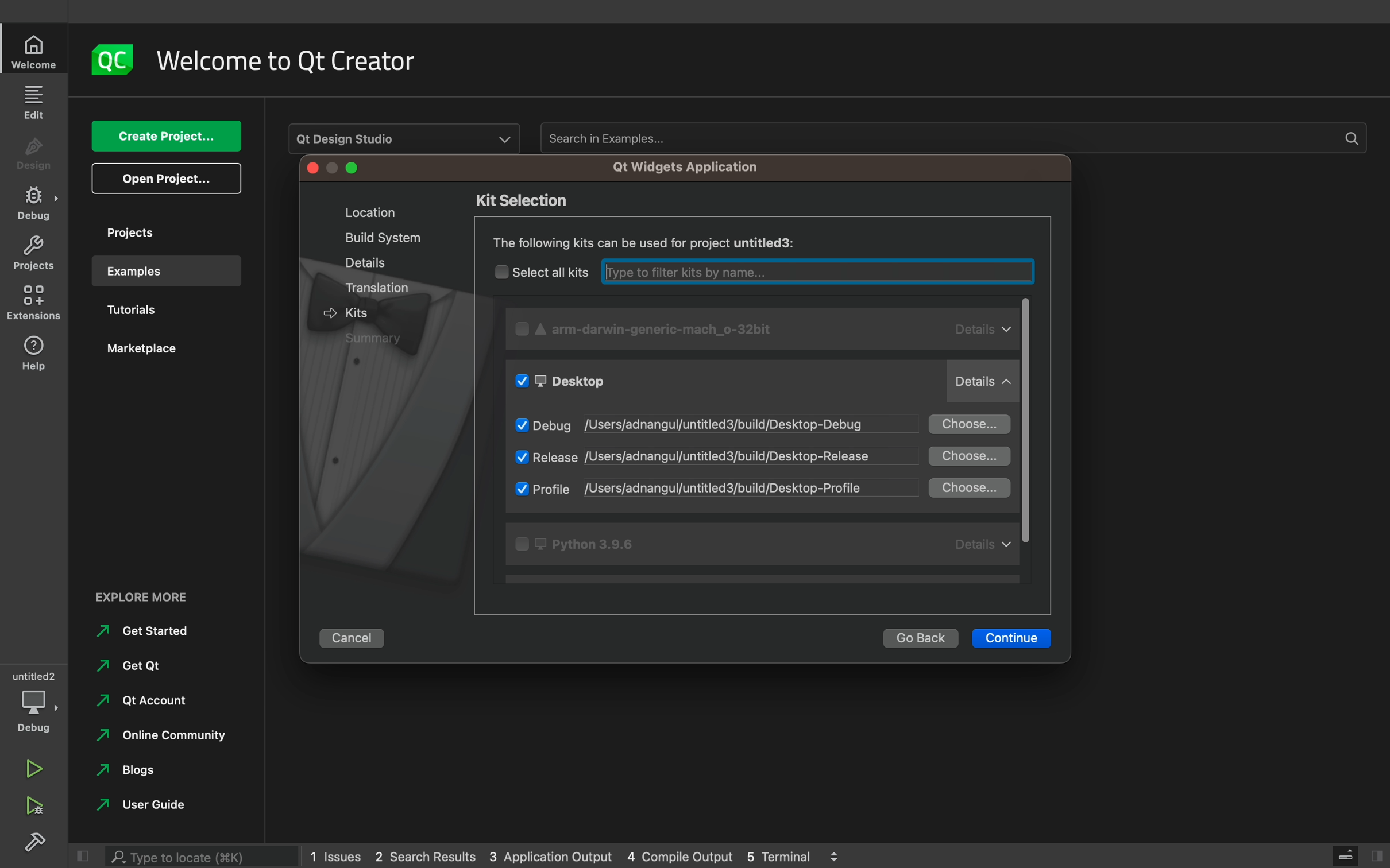 The width and height of the screenshot is (1390, 868). I want to click on Type to filter kits by name..., so click(813, 271).